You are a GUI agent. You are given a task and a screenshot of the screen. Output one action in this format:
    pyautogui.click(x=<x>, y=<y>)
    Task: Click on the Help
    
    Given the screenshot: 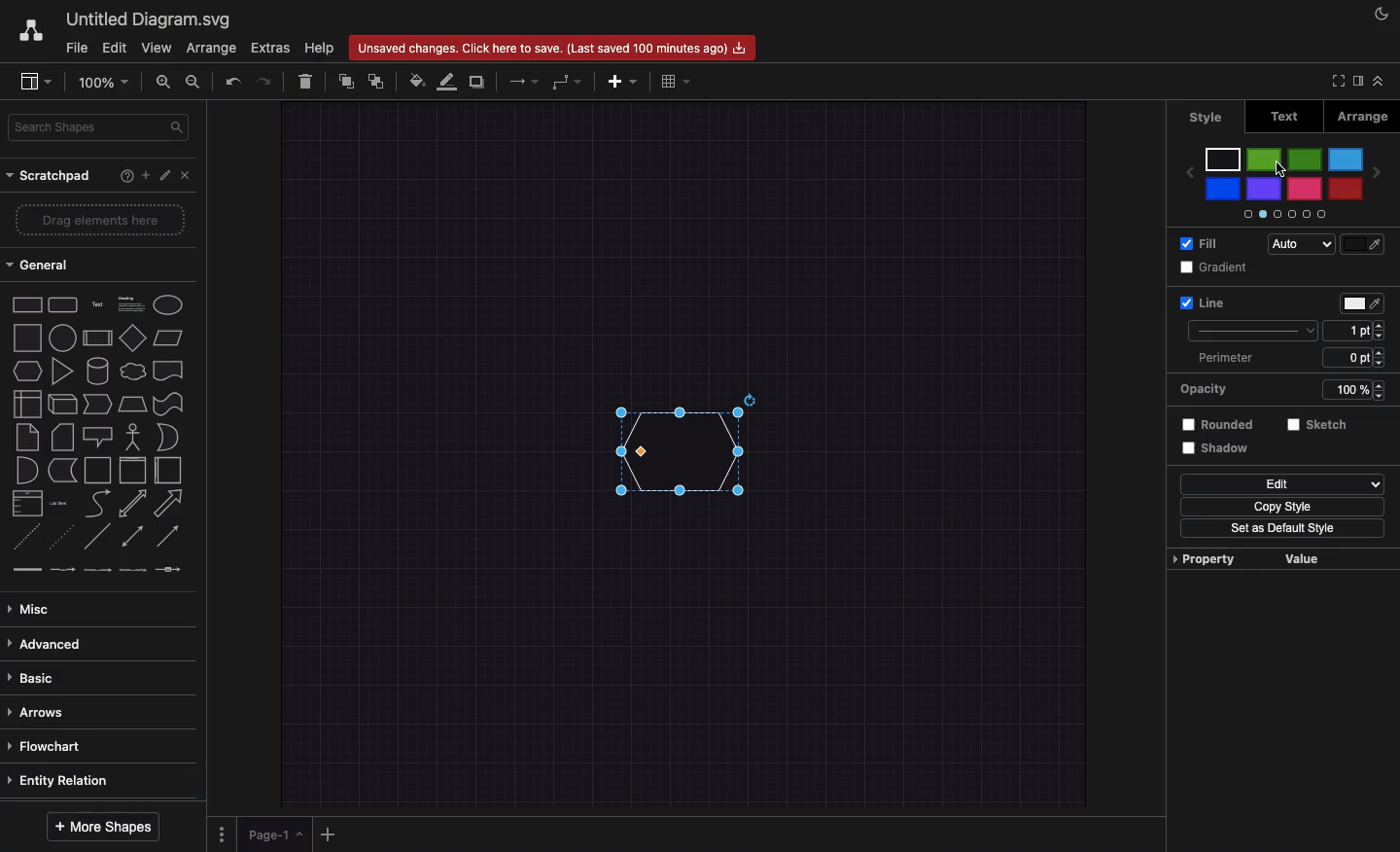 What is the action you would take?
    pyautogui.click(x=126, y=175)
    